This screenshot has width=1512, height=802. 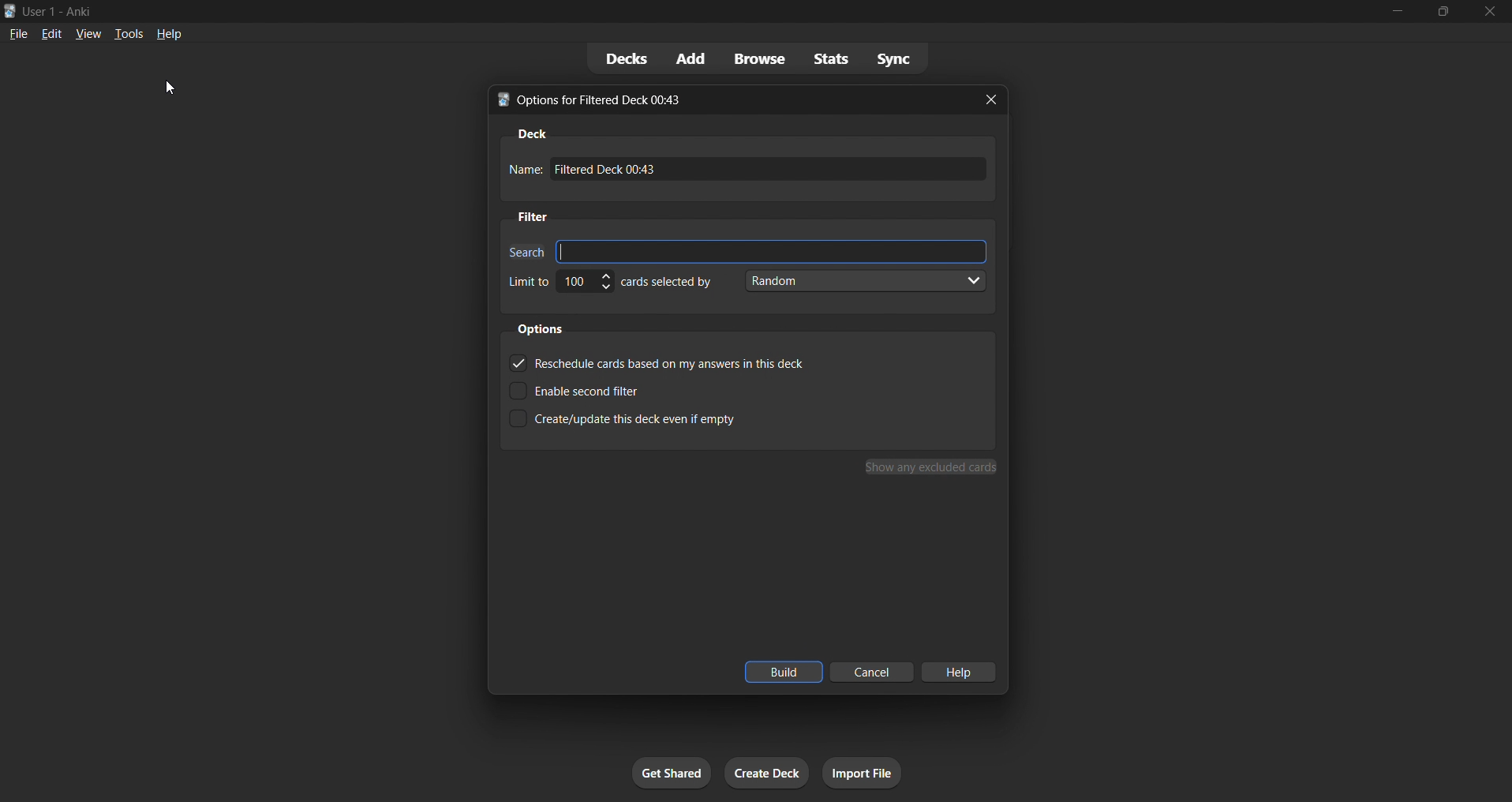 I want to click on Enable second filter, so click(x=603, y=388).